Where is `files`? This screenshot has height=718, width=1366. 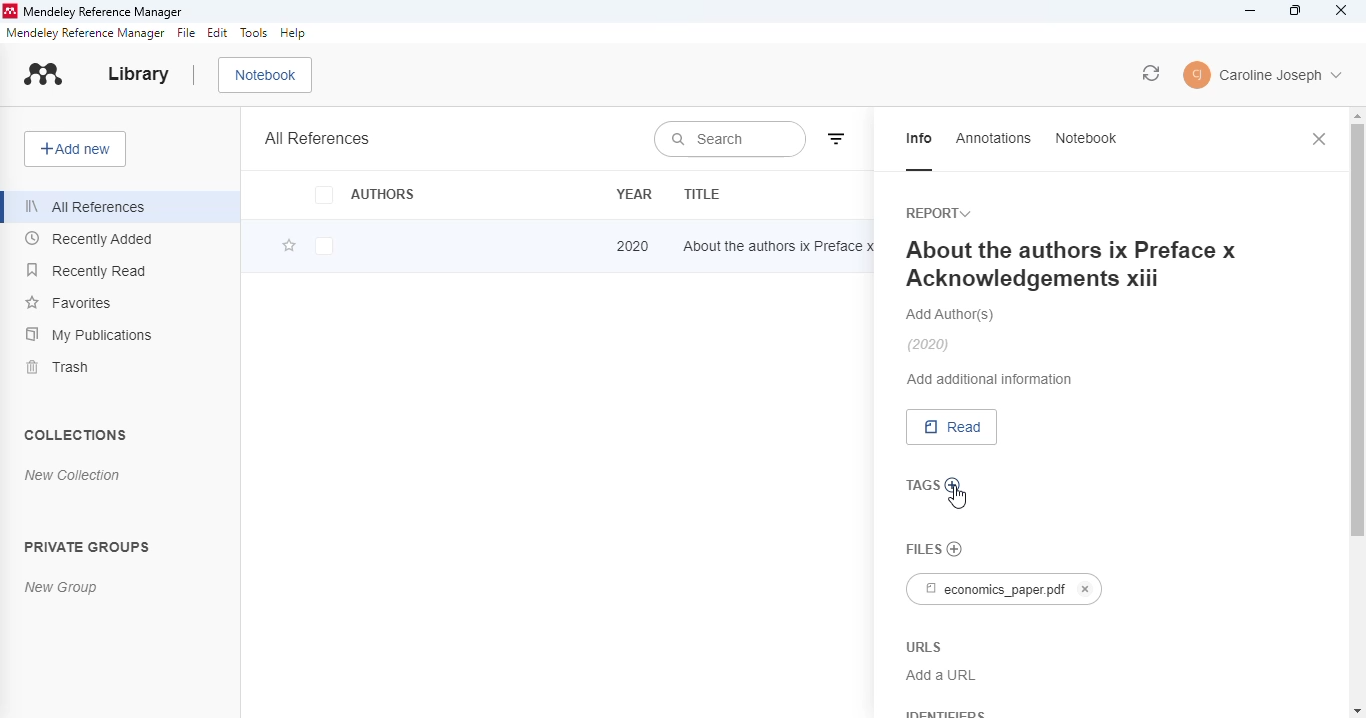
files is located at coordinates (924, 548).